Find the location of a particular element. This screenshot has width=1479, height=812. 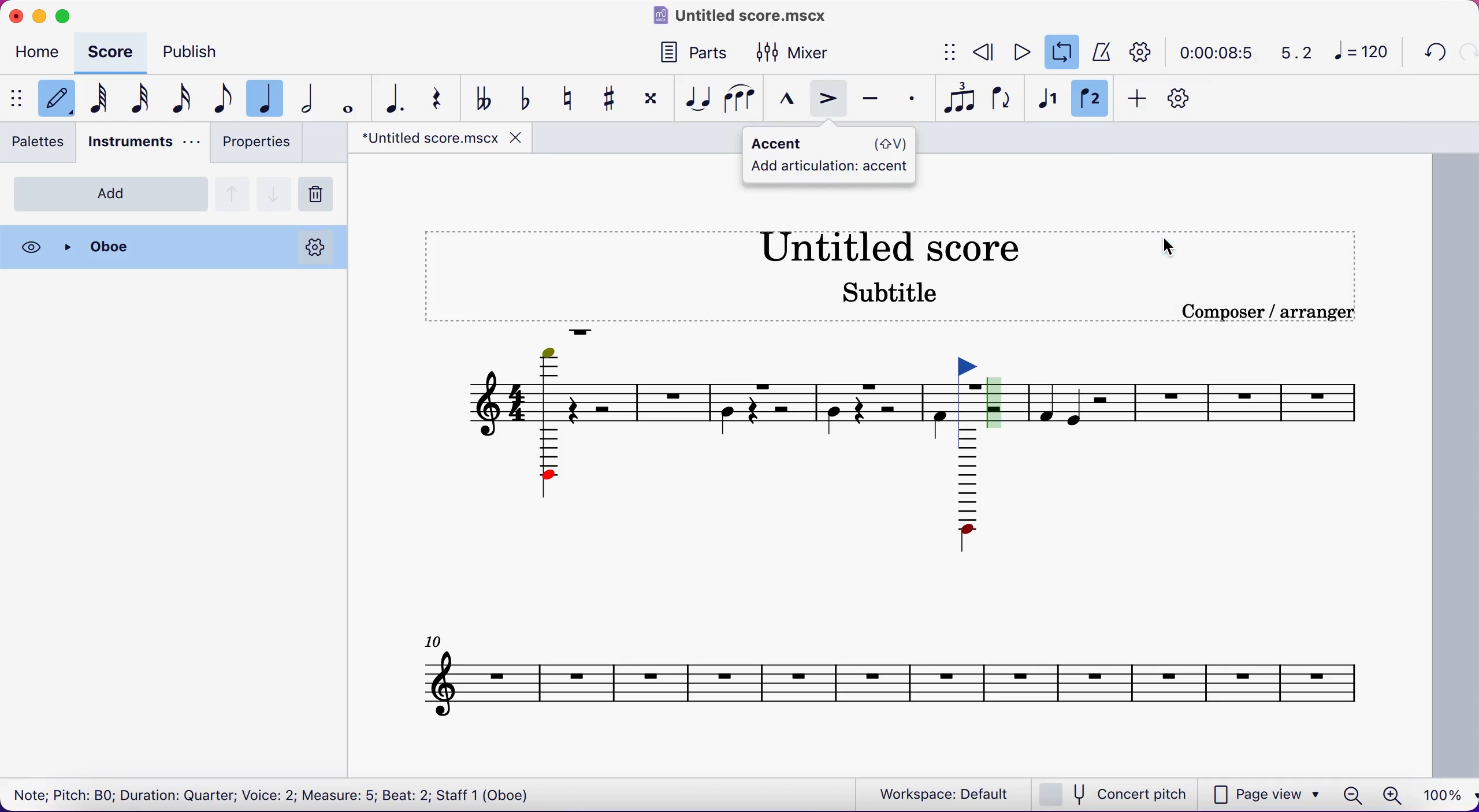

workspace: default is located at coordinates (947, 794).